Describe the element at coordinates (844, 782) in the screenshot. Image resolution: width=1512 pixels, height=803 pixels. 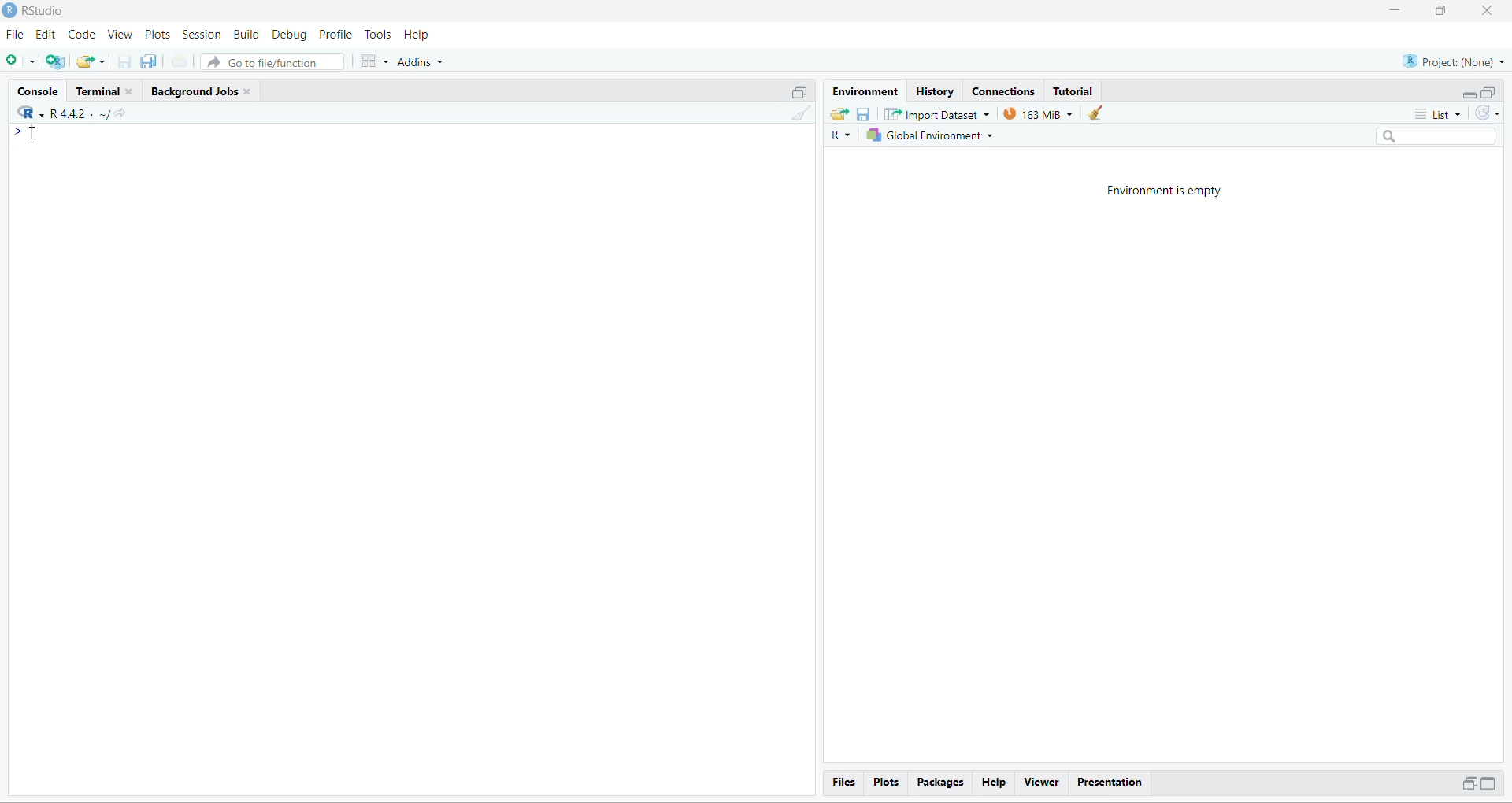
I see `Files` at that location.